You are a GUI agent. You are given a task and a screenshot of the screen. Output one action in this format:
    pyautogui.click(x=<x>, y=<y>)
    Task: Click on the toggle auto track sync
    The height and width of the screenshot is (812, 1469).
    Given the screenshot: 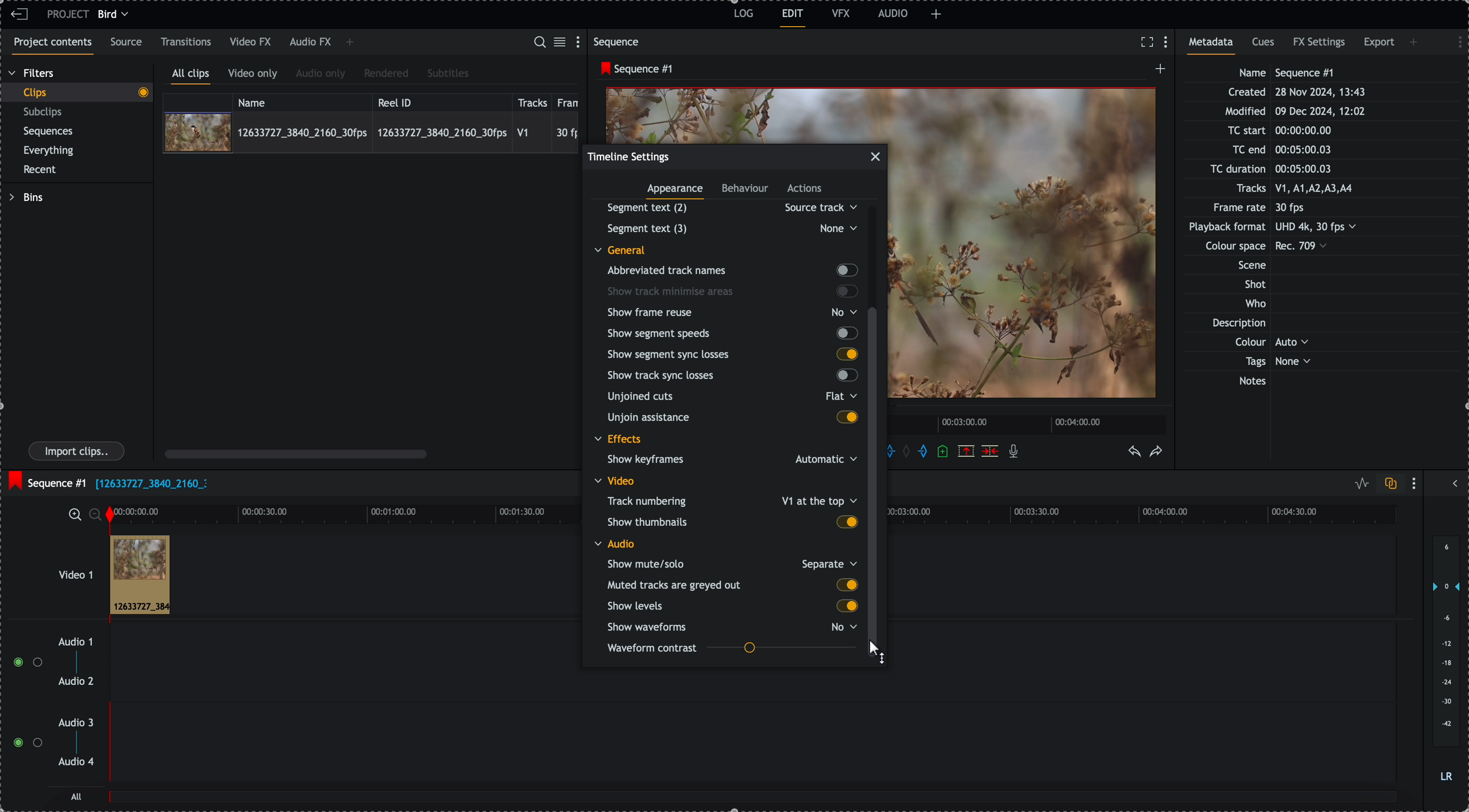 What is the action you would take?
    pyautogui.click(x=1388, y=484)
    